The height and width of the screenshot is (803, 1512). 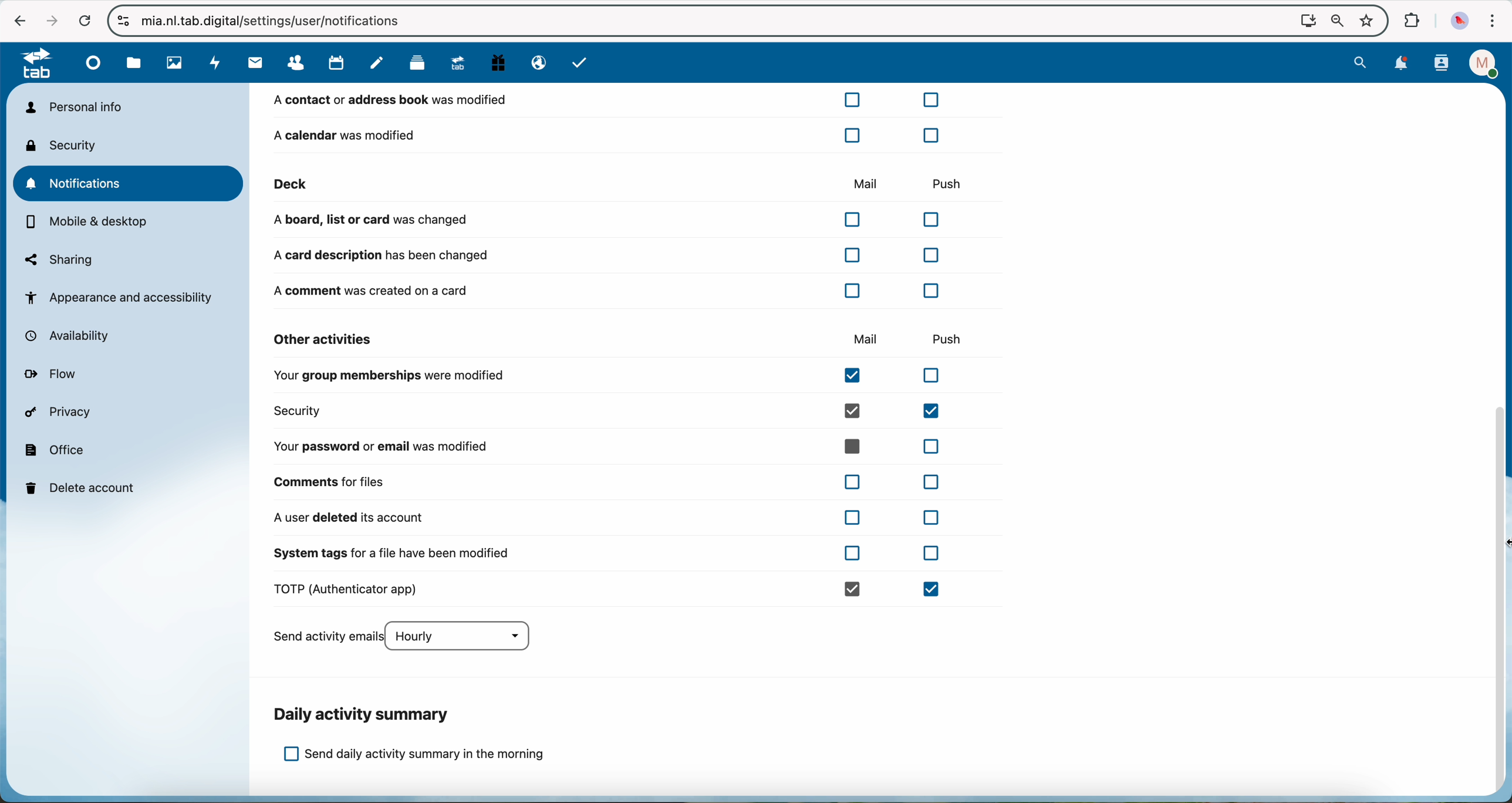 I want to click on send daily activity summary in the morning, so click(x=414, y=755).